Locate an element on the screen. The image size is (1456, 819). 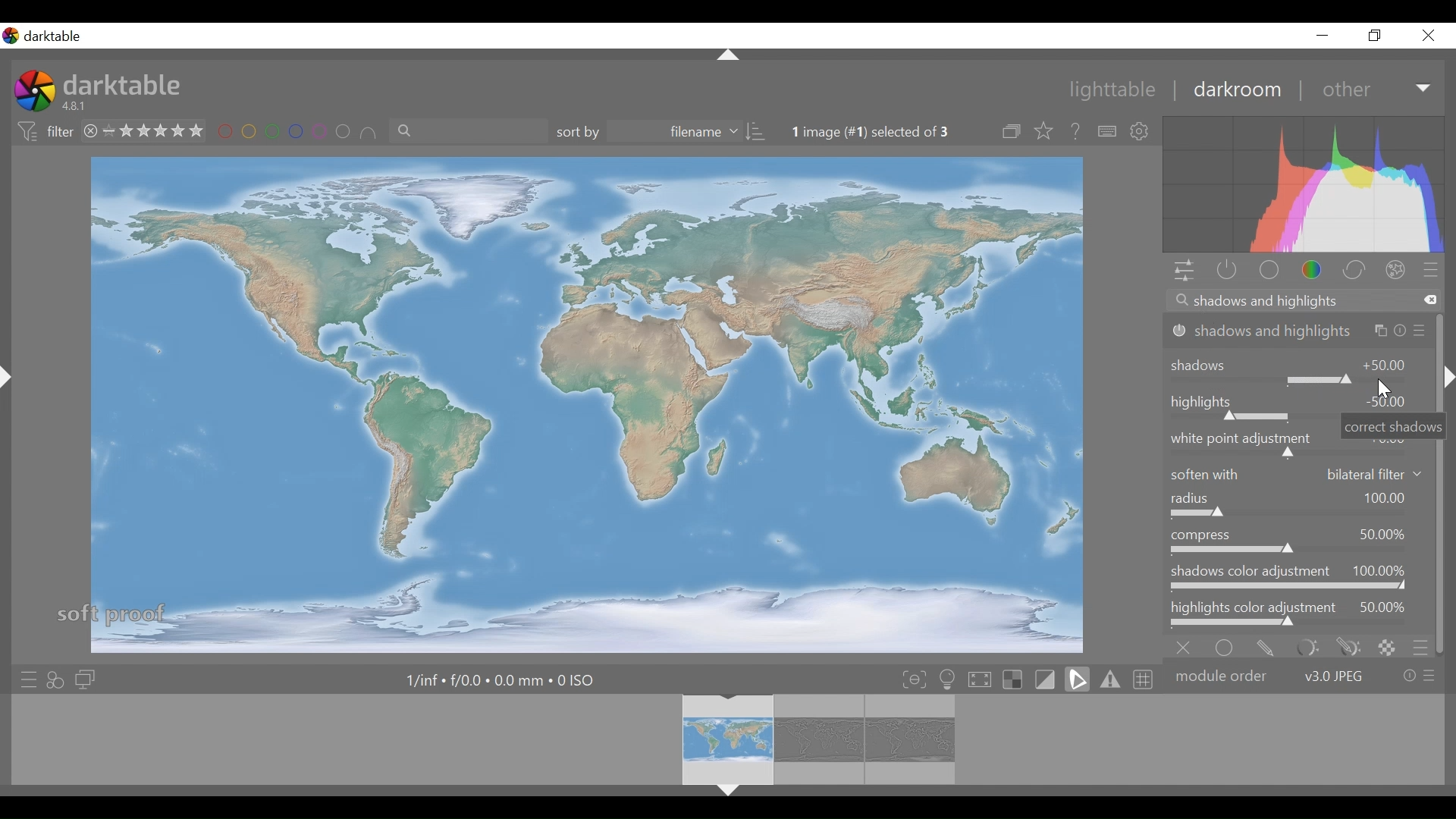
histogram is located at coordinates (1305, 184).